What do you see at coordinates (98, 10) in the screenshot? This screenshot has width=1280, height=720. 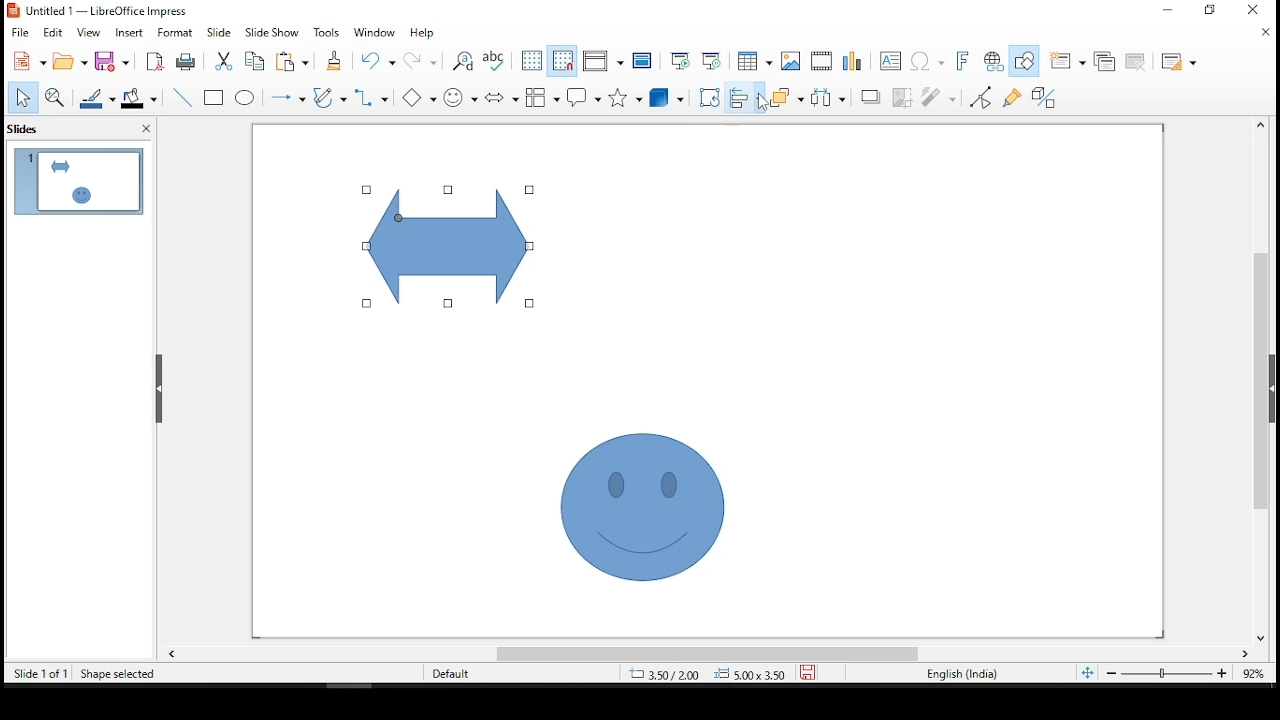 I see `Bl Untitled 1 — LibreOffice Impress` at bounding box center [98, 10].